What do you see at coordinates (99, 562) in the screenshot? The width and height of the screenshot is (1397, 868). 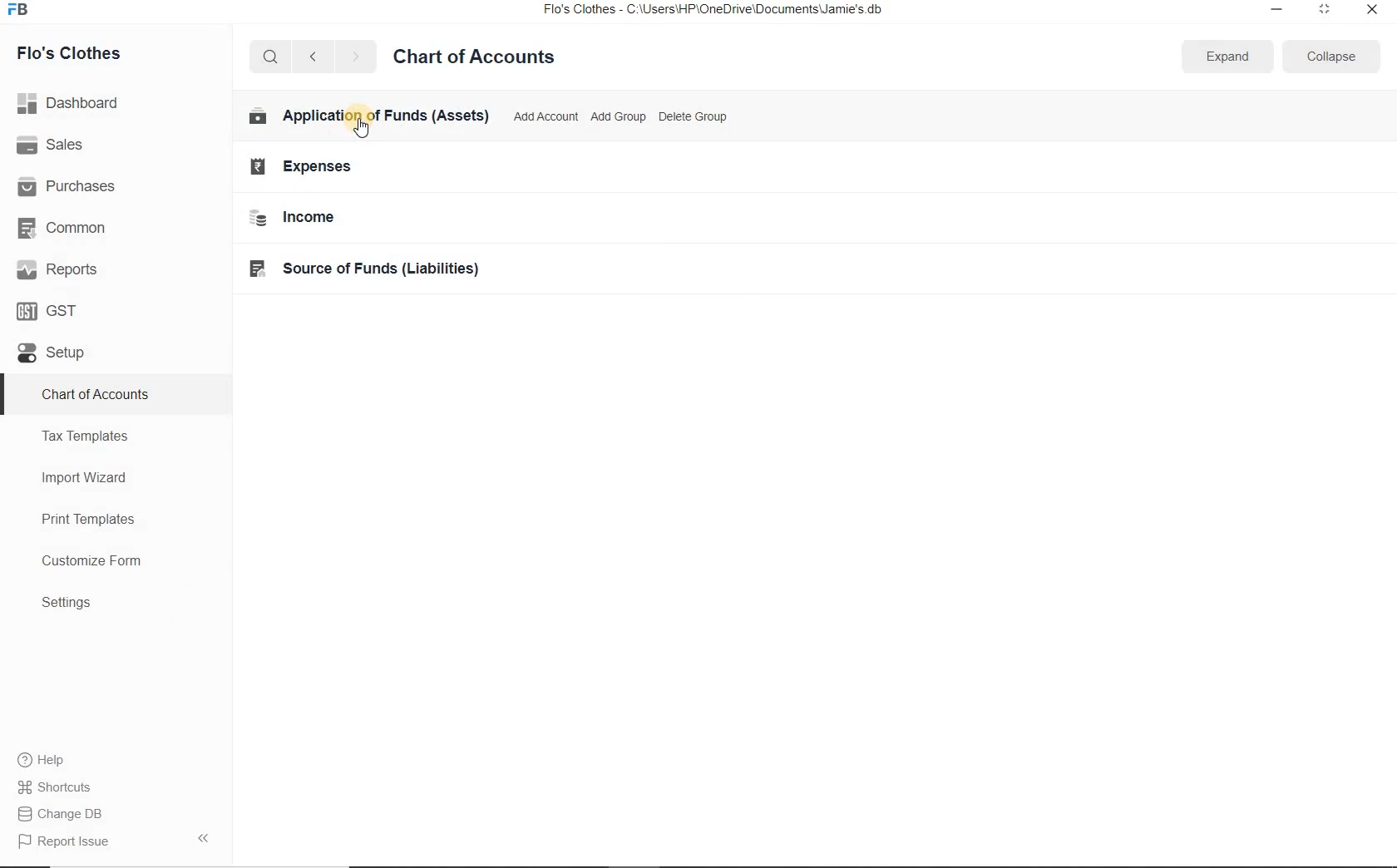 I see `Customize Form` at bounding box center [99, 562].